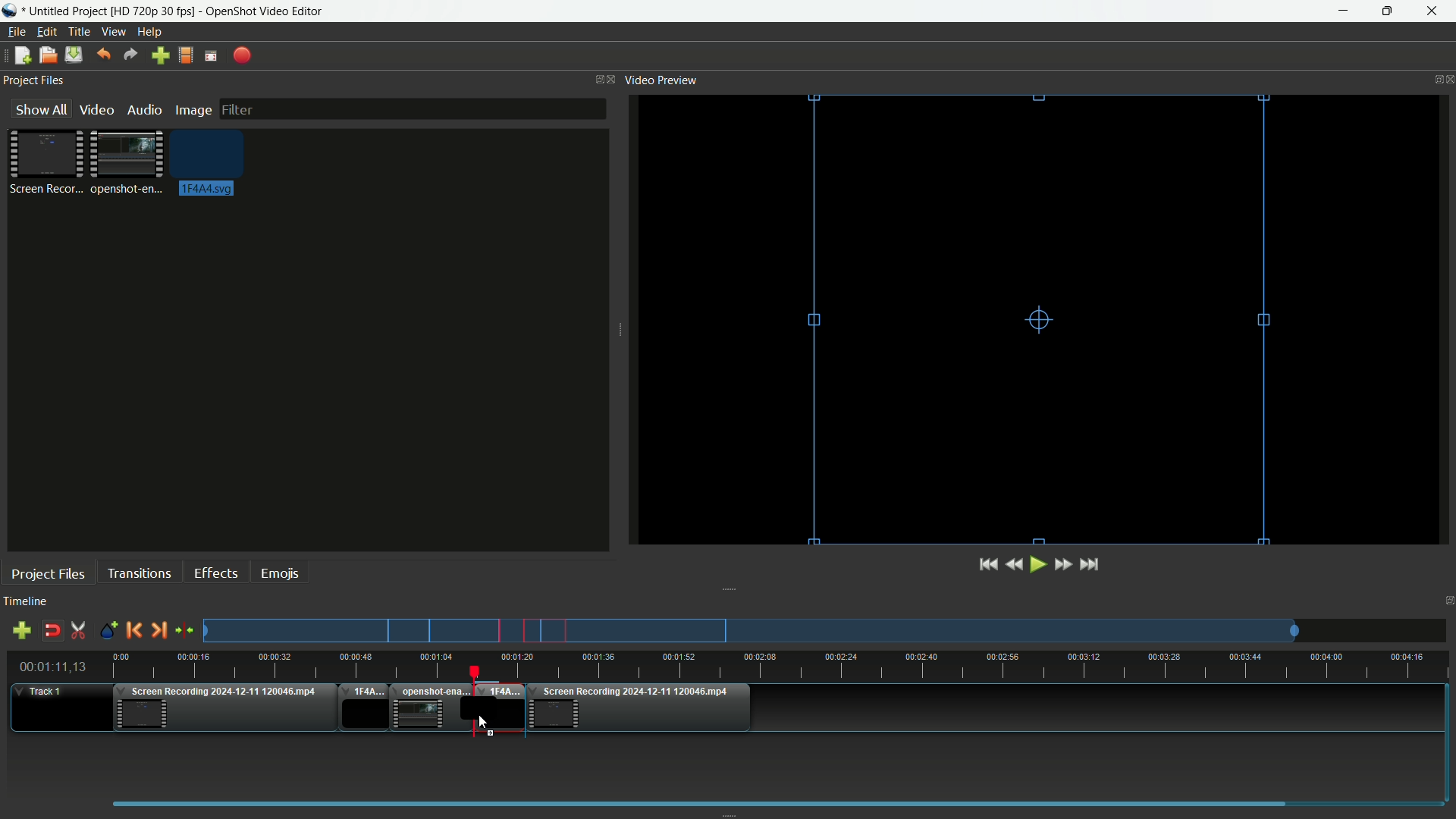 The image size is (1456, 819). Describe the element at coordinates (411, 107) in the screenshot. I see `filter bar` at that location.